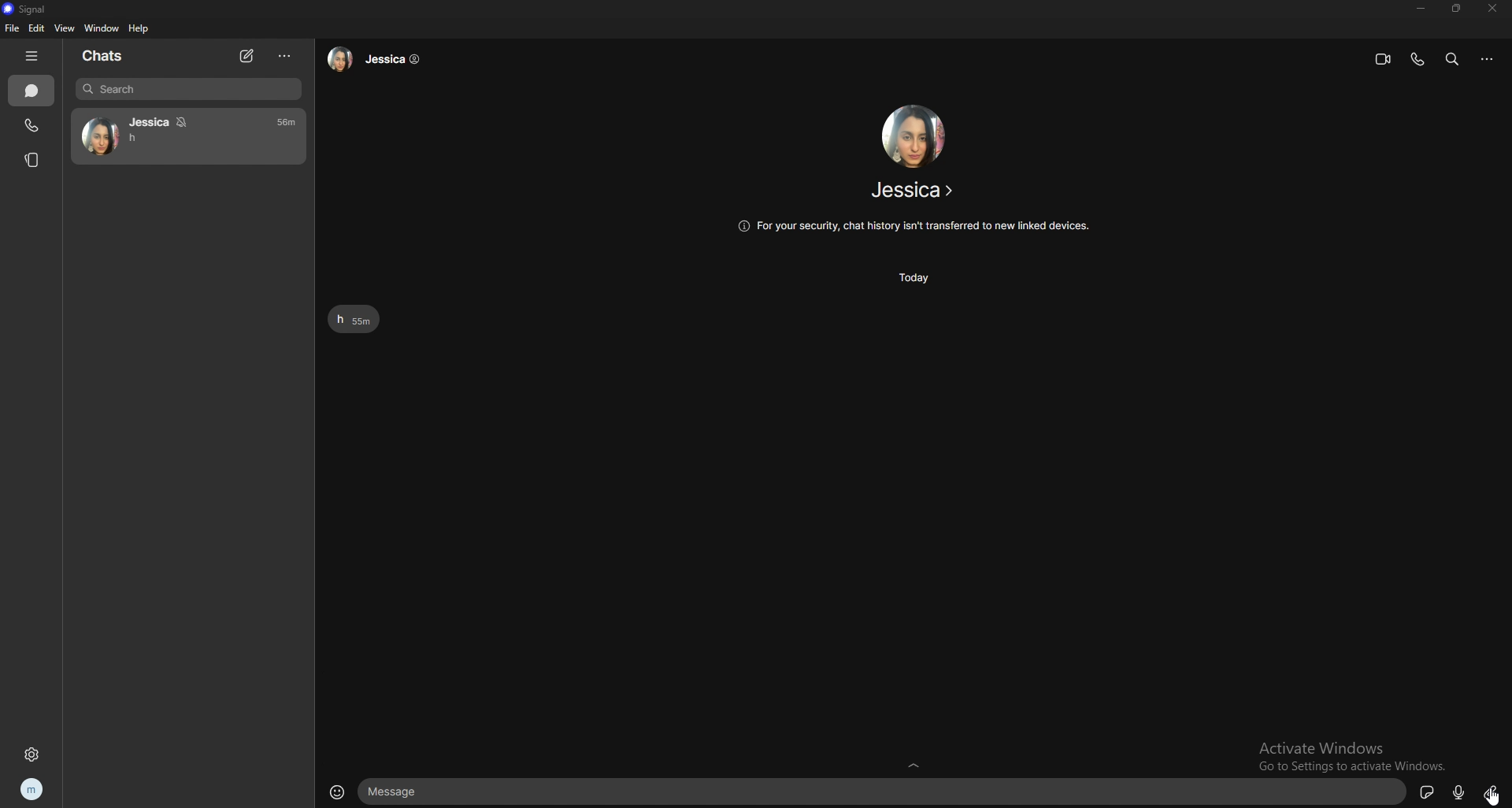 The image size is (1512, 808). What do you see at coordinates (32, 91) in the screenshot?
I see `chats` at bounding box center [32, 91].